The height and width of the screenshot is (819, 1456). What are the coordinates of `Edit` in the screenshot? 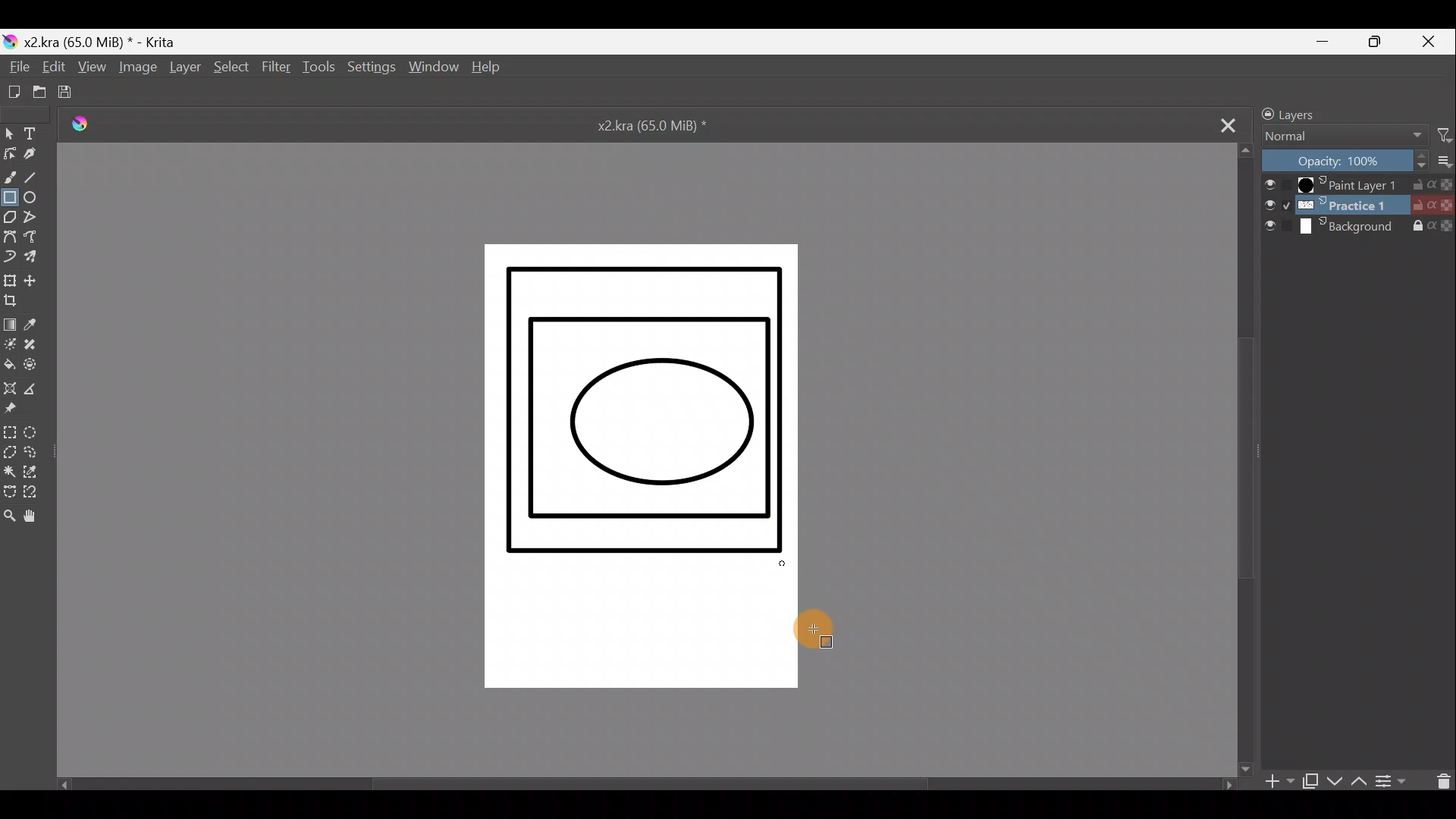 It's located at (49, 67).